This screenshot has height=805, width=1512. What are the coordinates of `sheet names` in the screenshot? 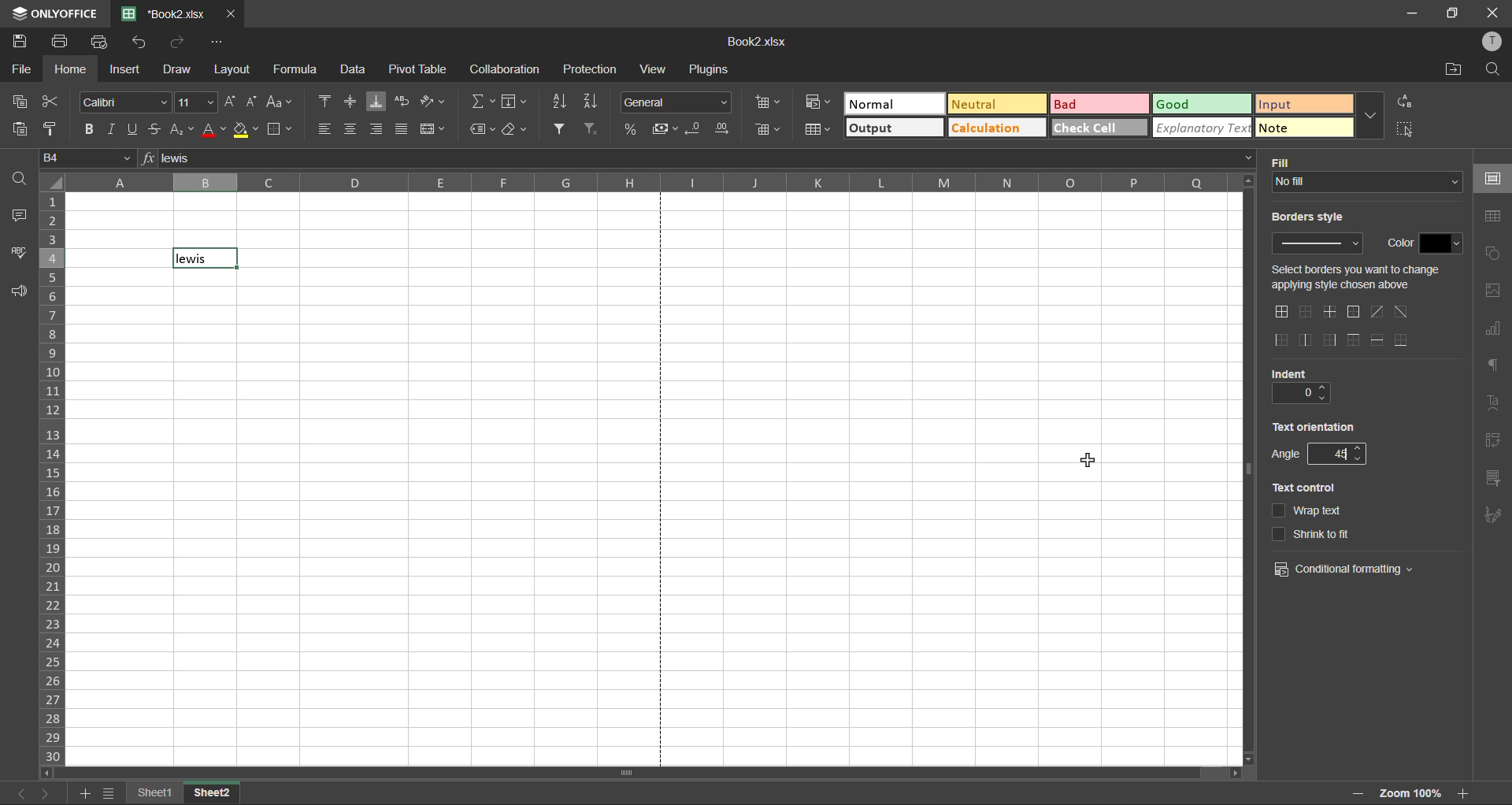 It's located at (150, 793).